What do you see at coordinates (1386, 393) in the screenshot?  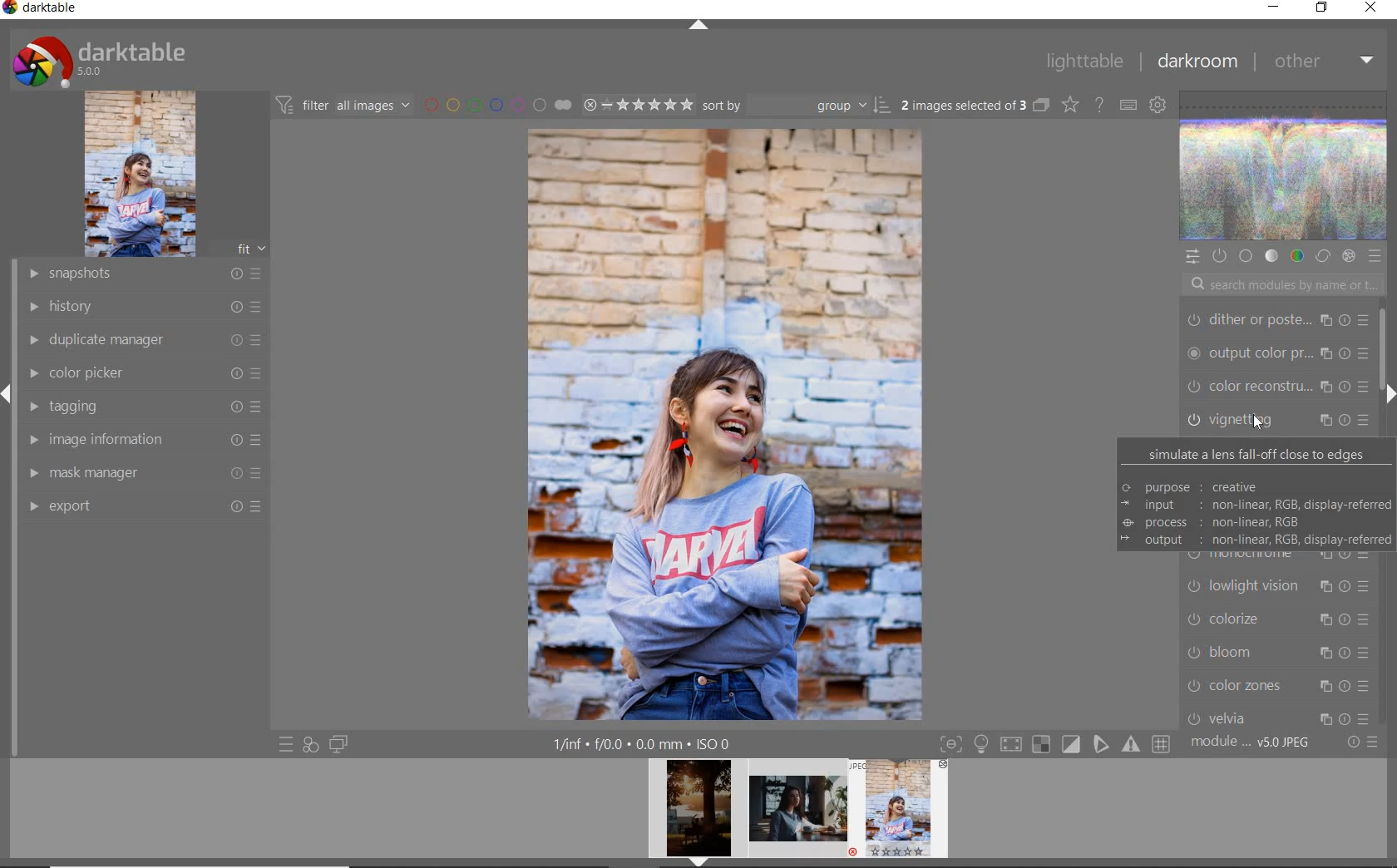 I see `expand/collapse` at bounding box center [1386, 393].